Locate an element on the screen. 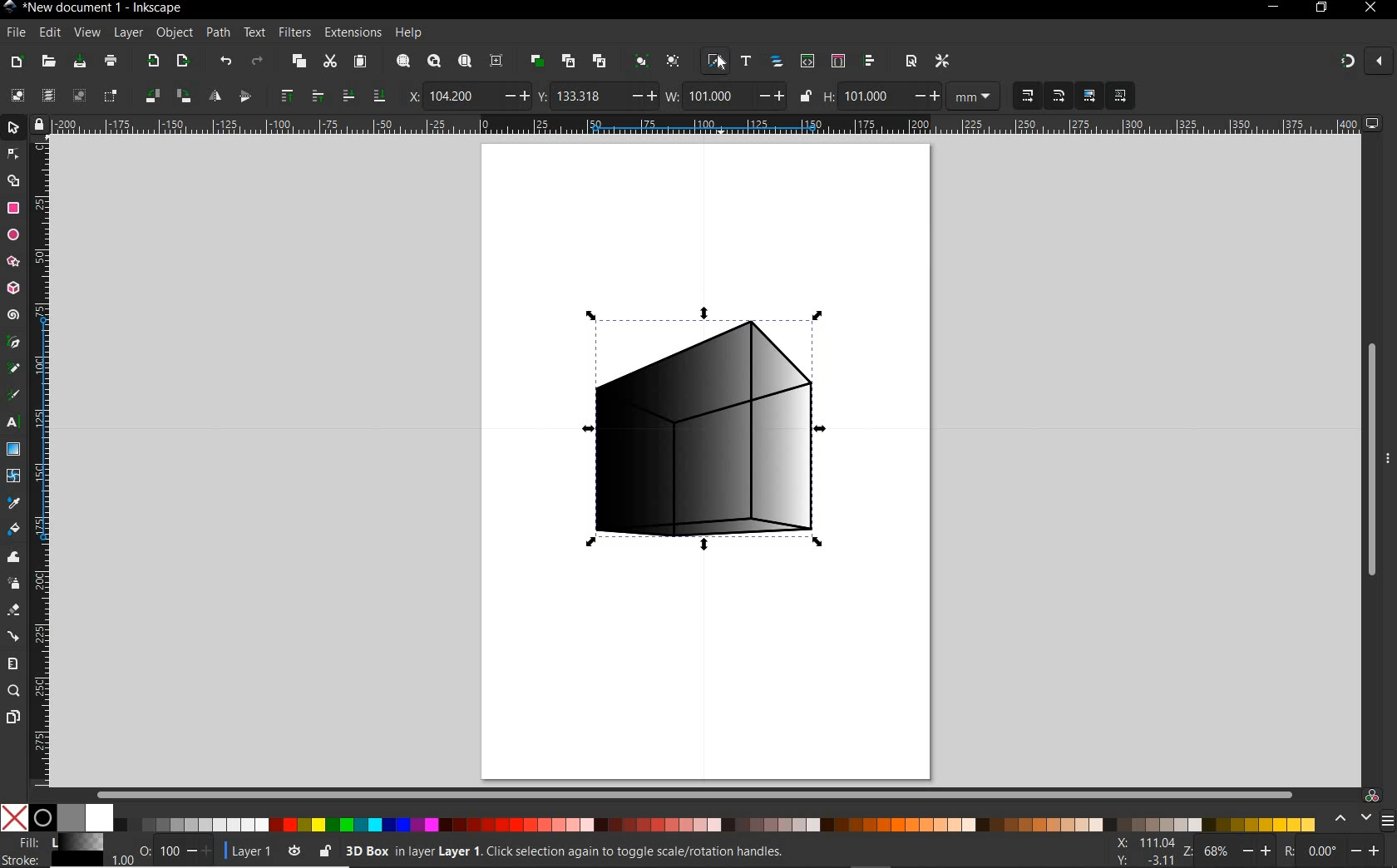 The width and height of the screenshot is (1397, 868). 68 is located at coordinates (1218, 851).